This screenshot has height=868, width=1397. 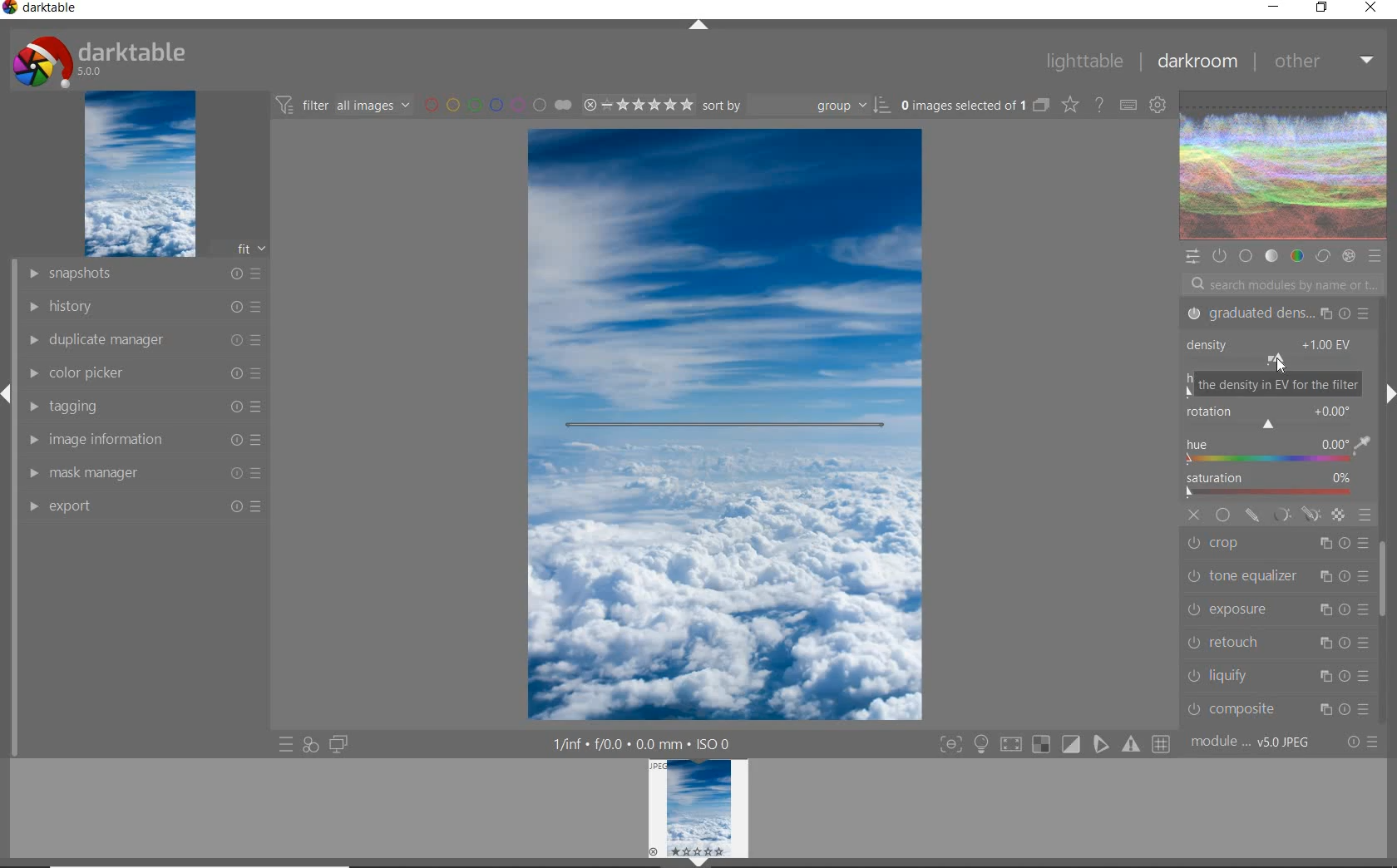 I want to click on MINIMIZE, so click(x=1273, y=6).